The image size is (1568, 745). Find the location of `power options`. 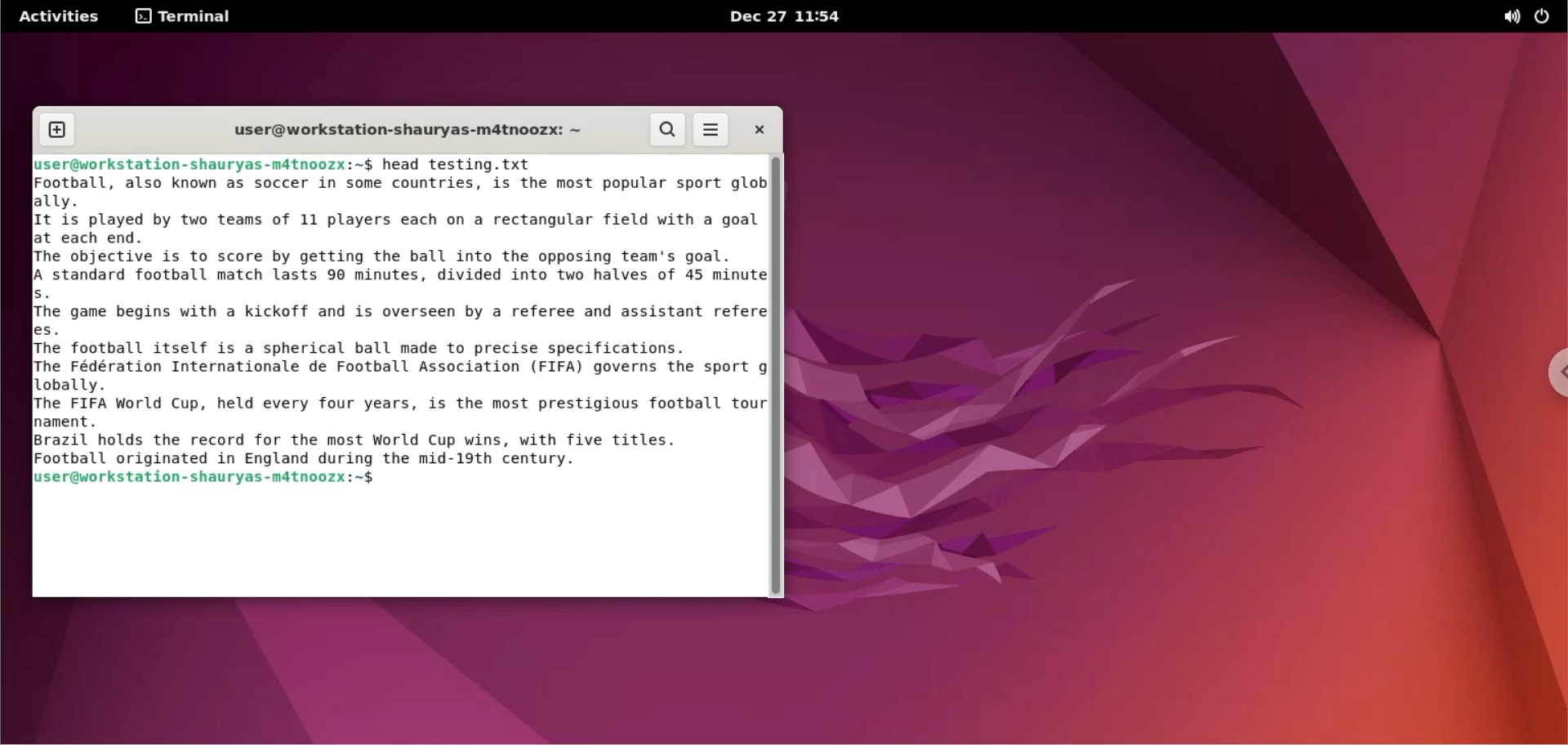

power options is located at coordinates (1548, 17).